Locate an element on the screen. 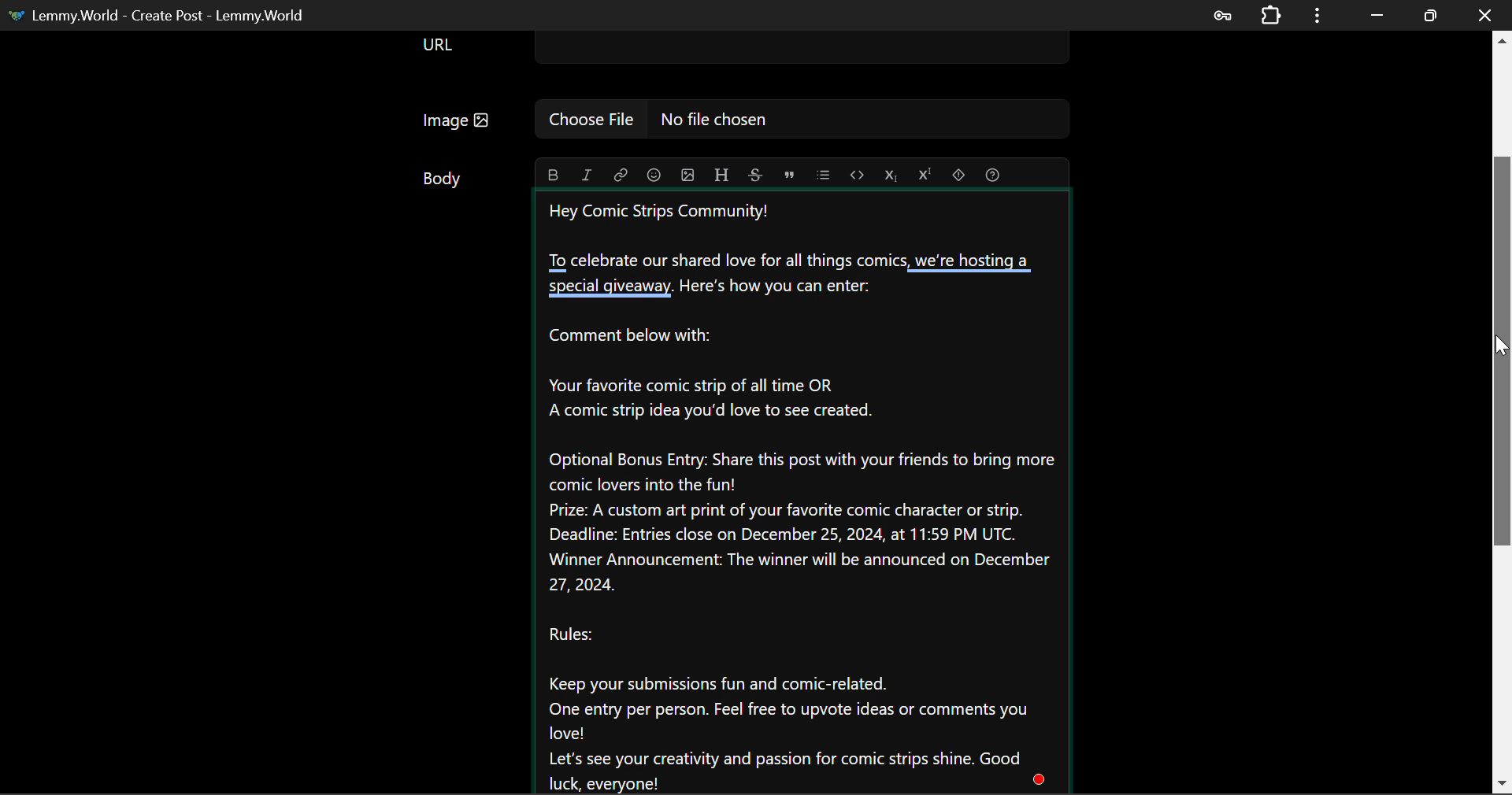 This screenshot has height=795, width=1512. code is located at coordinates (855, 173).